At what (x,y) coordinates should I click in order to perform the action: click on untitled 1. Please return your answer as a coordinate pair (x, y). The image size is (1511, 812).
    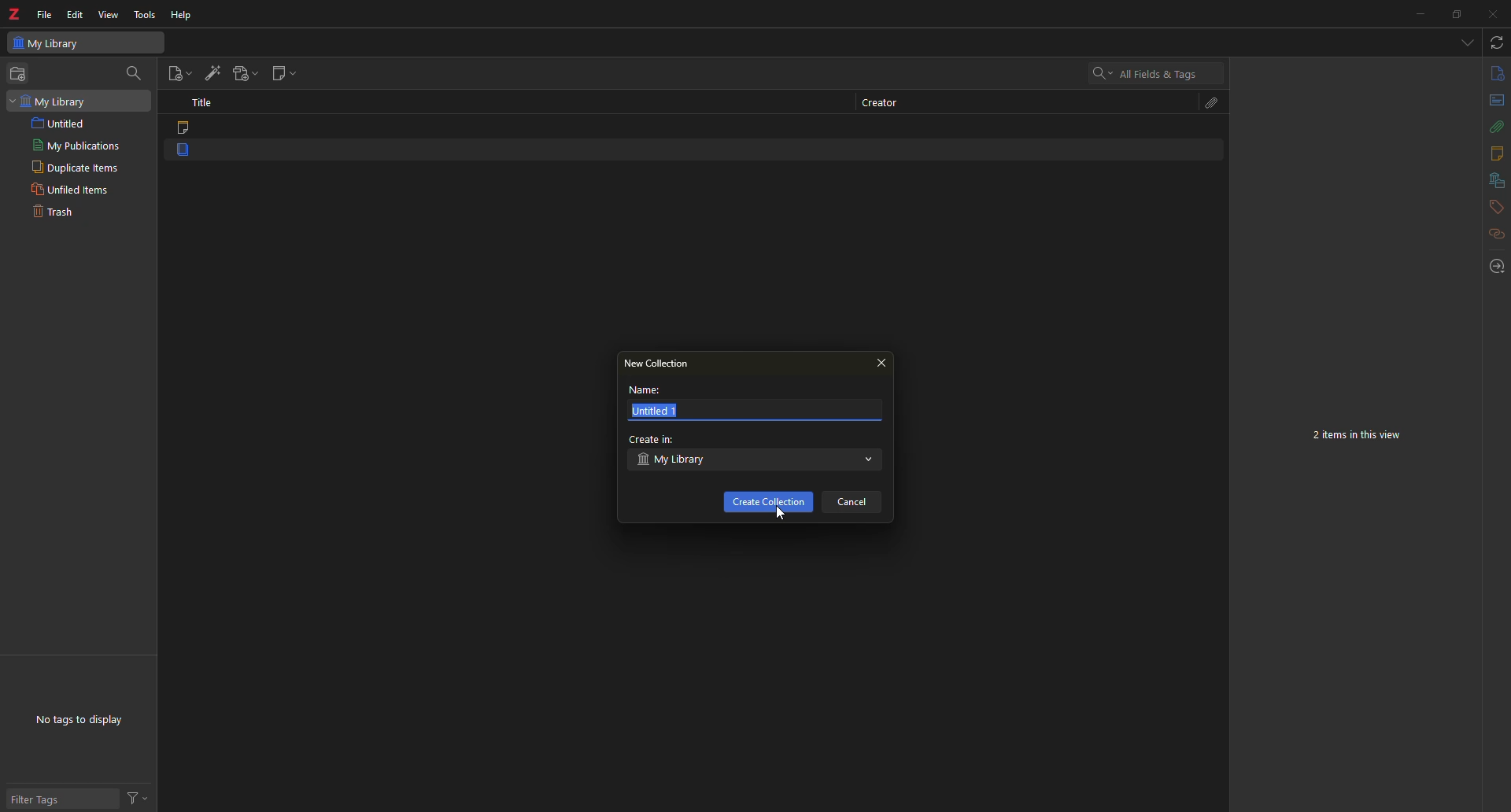
    Looking at the image, I should click on (657, 412).